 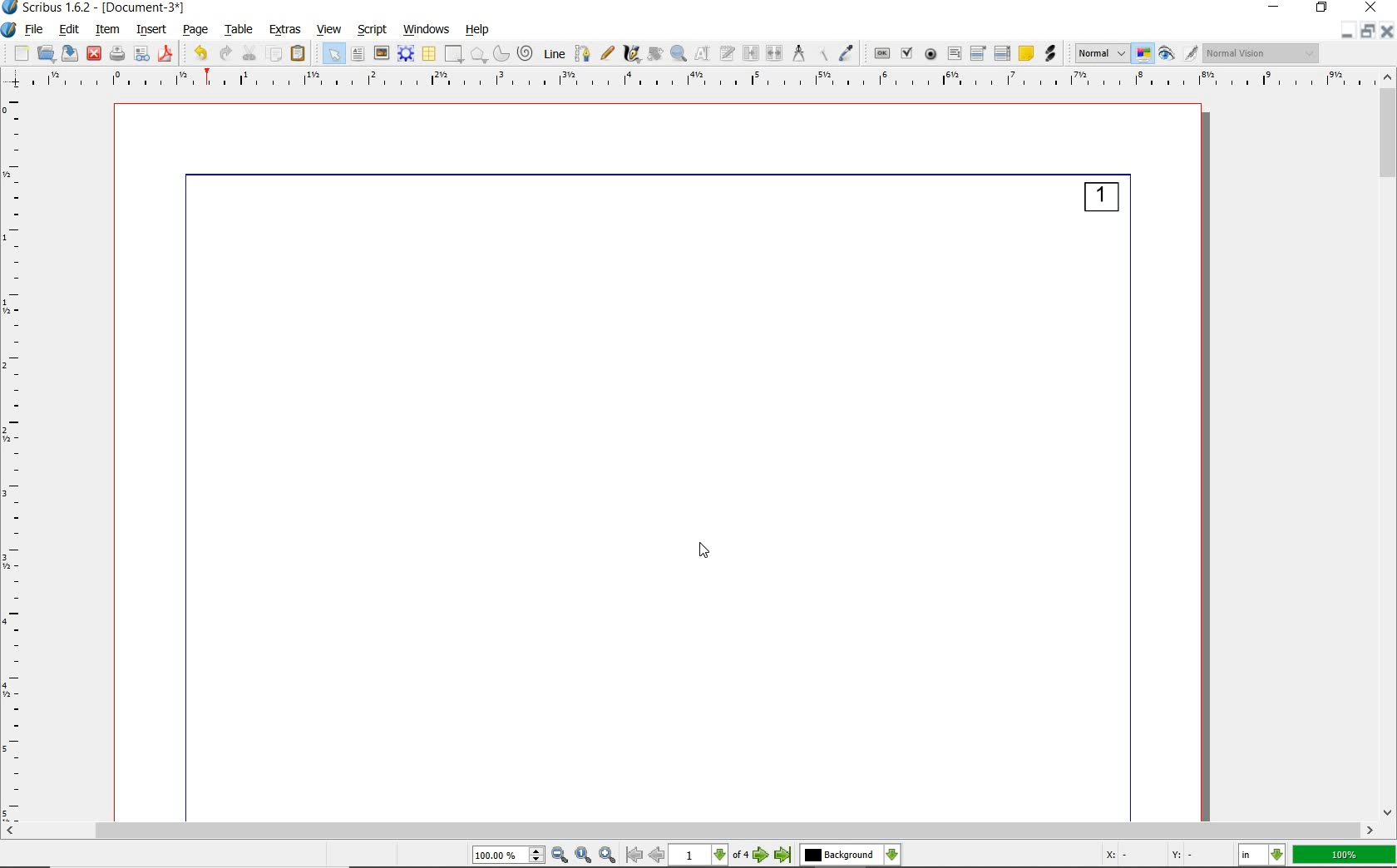 What do you see at coordinates (106, 30) in the screenshot?
I see `item` at bounding box center [106, 30].